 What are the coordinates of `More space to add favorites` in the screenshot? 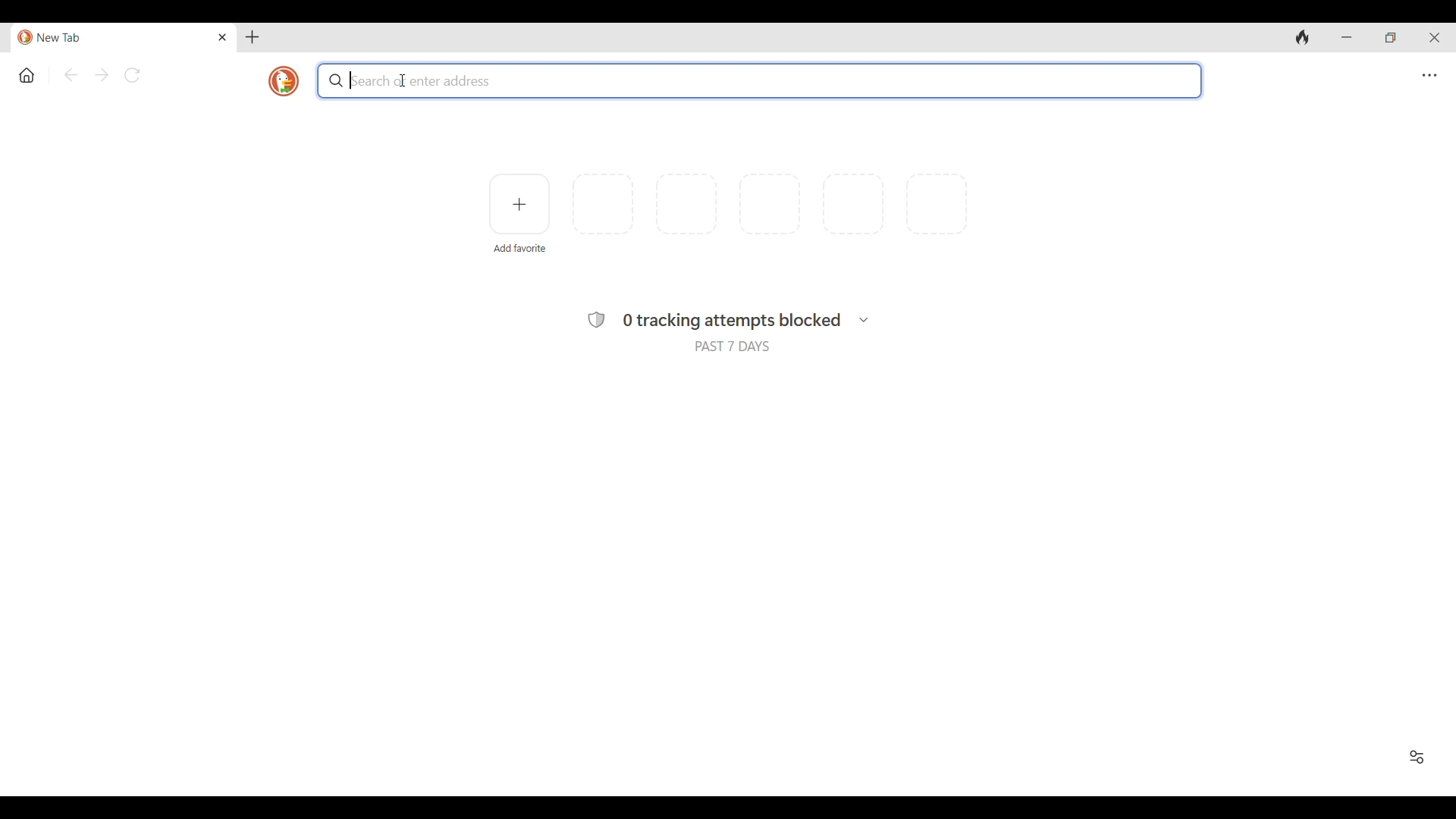 It's located at (770, 204).